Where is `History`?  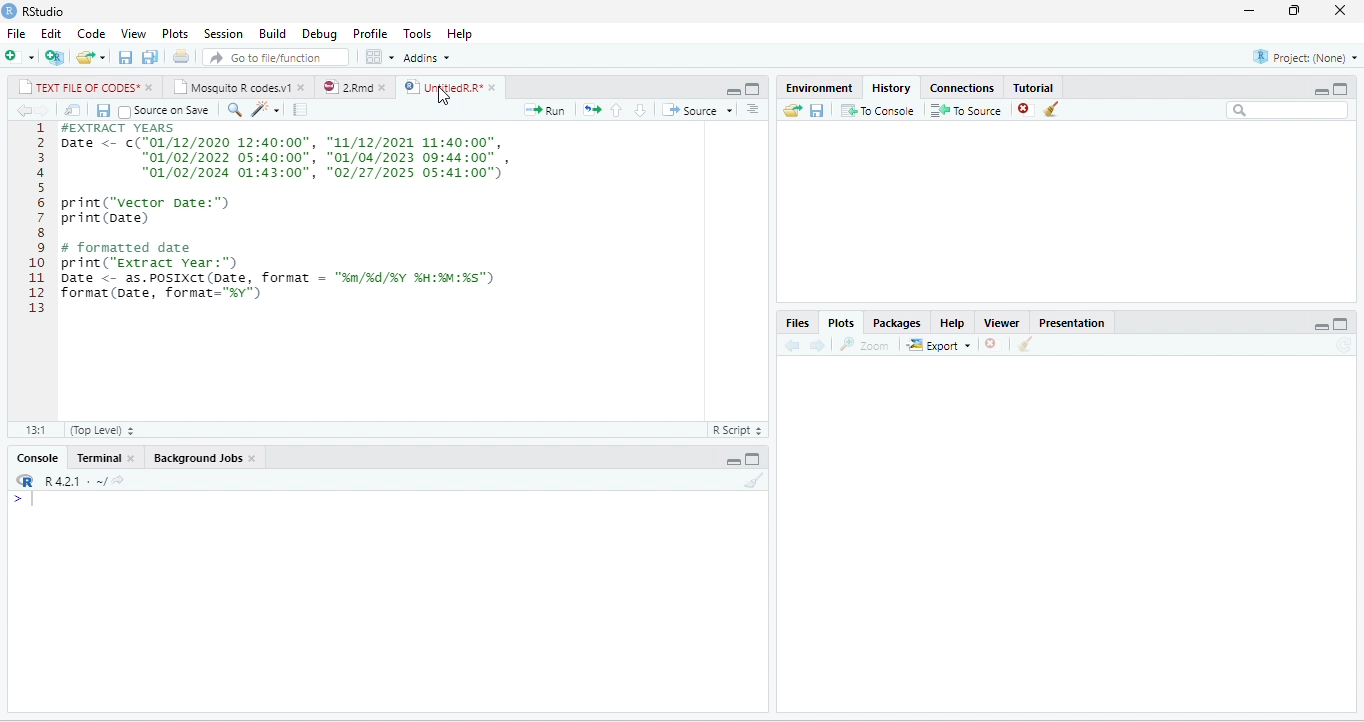 History is located at coordinates (891, 89).